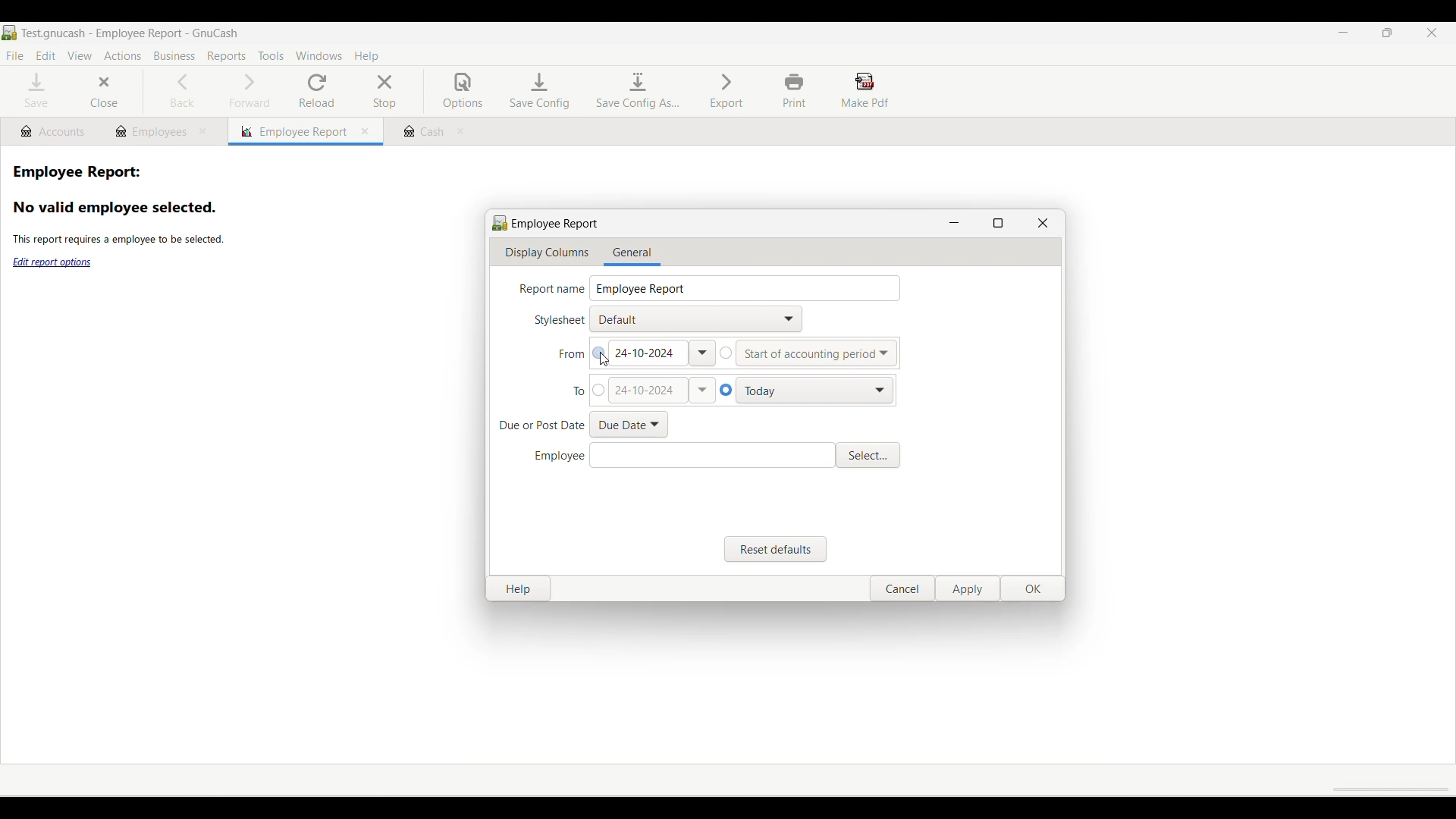 Image resolution: width=1456 pixels, height=819 pixels. What do you see at coordinates (711, 455) in the screenshot?
I see `Enter employee detail manually` at bounding box center [711, 455].